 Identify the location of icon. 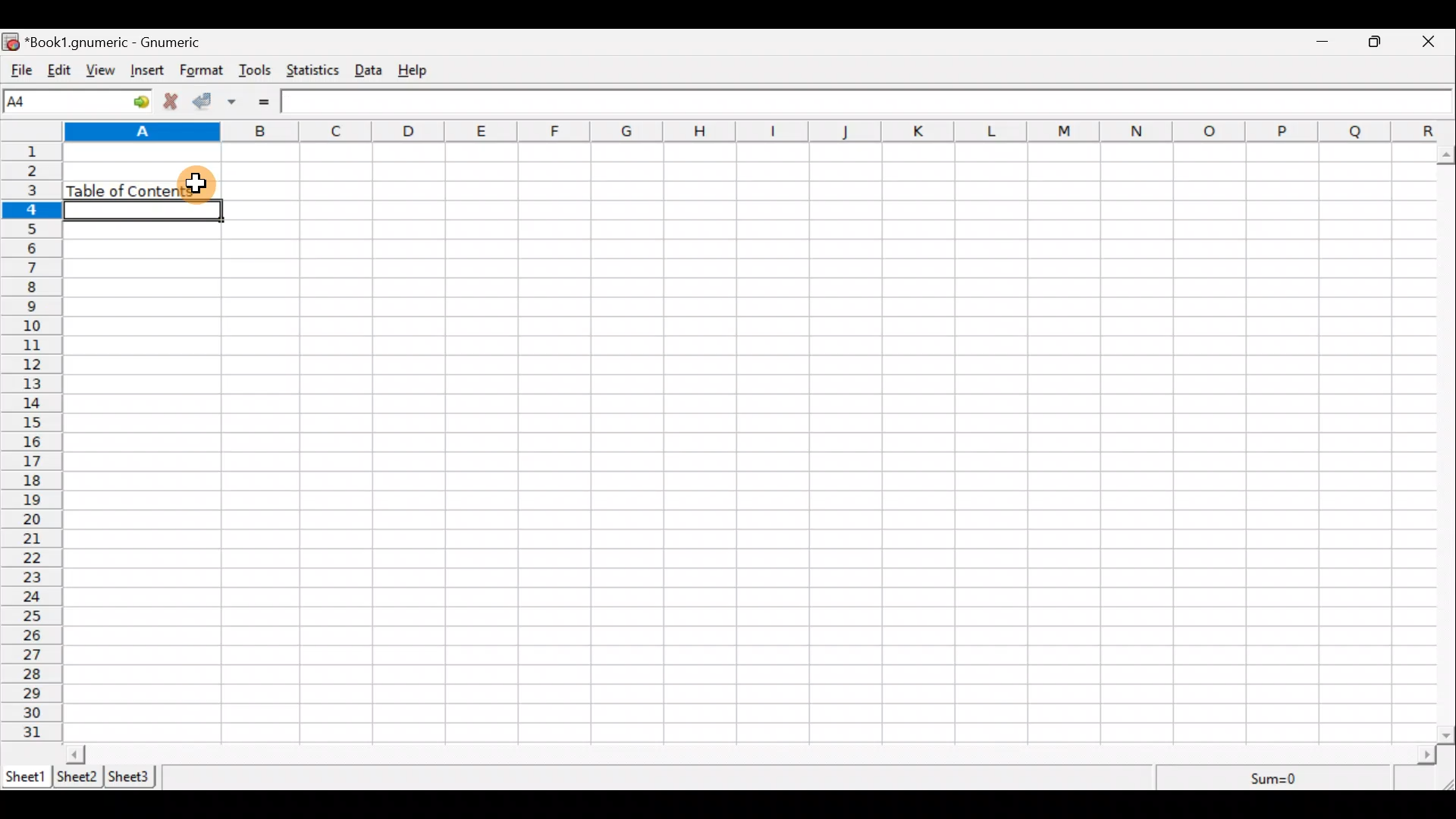
(11, 43).